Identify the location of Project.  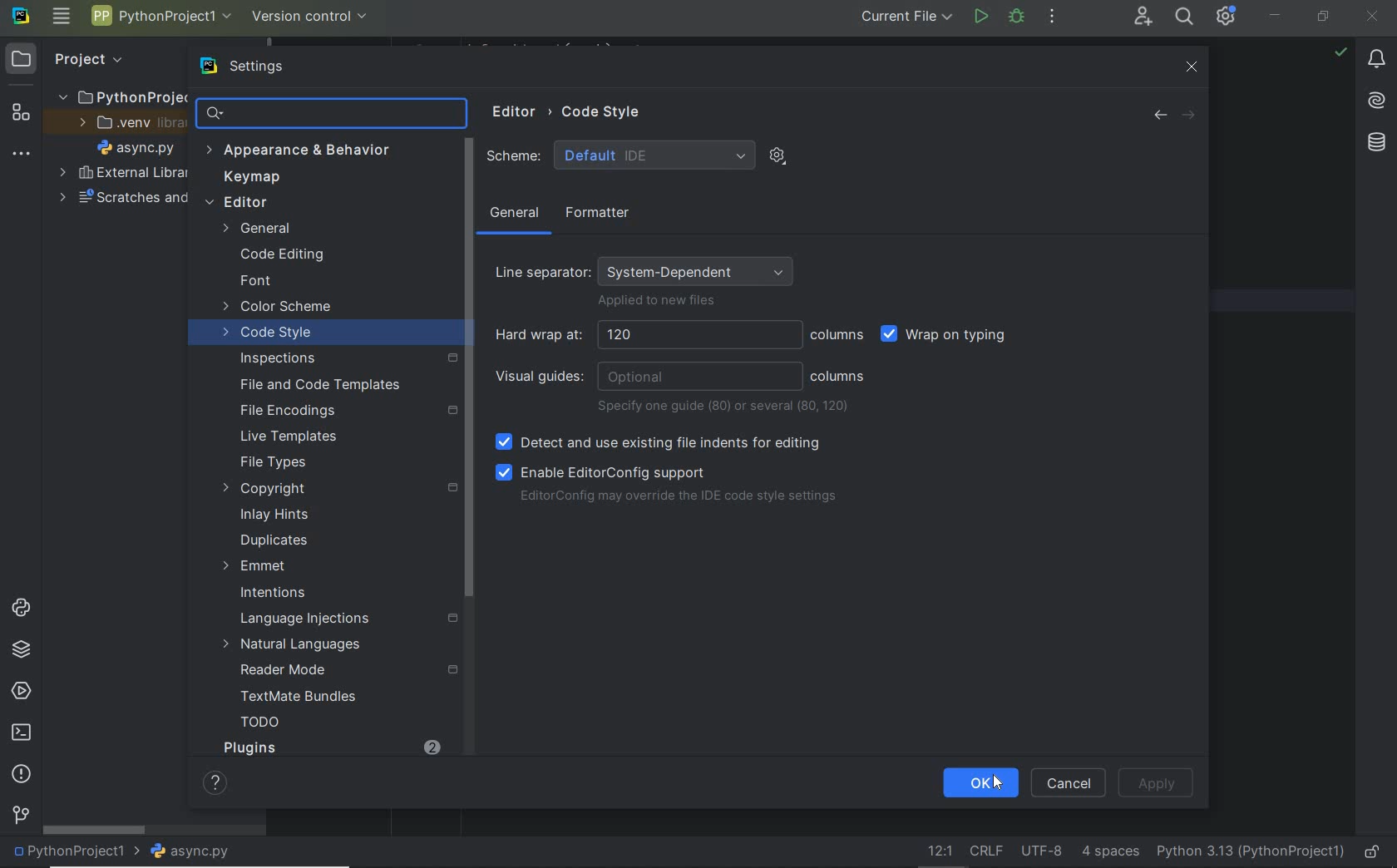
(88, 59).